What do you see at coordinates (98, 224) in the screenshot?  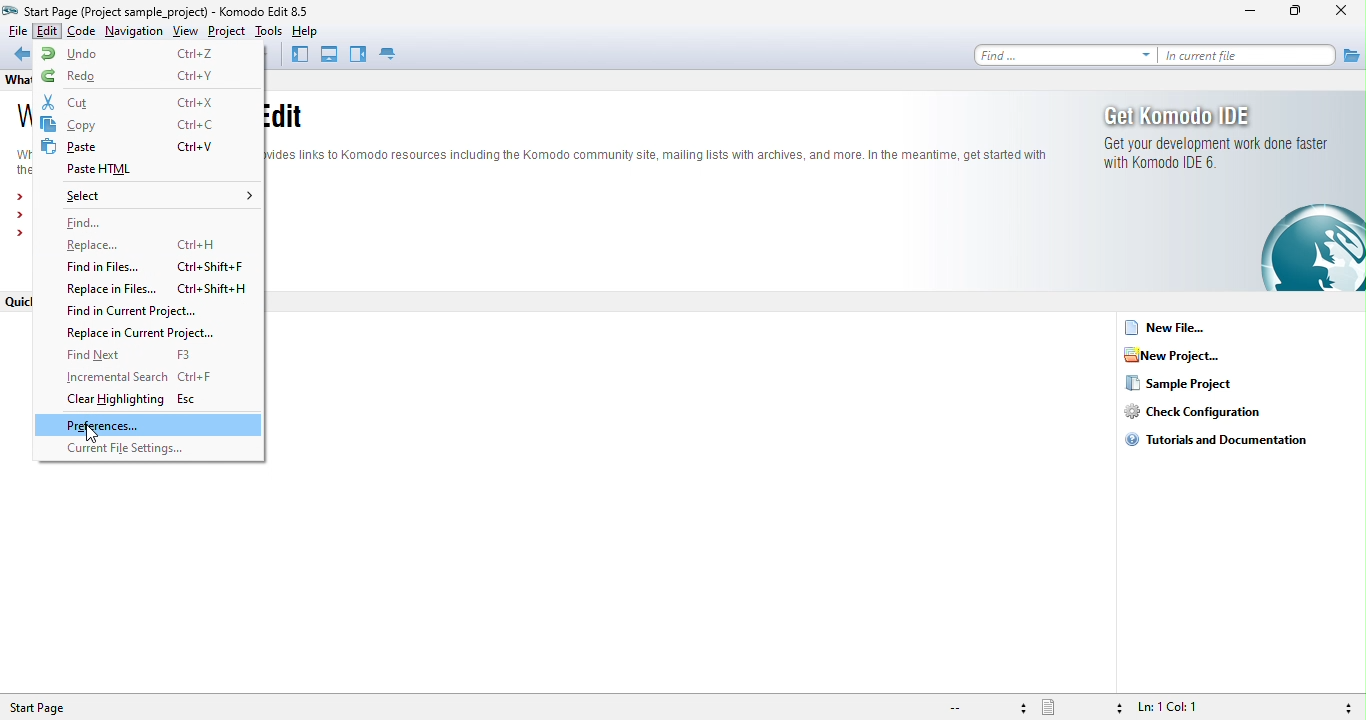 I see `find` at bounding box center [98, 224].